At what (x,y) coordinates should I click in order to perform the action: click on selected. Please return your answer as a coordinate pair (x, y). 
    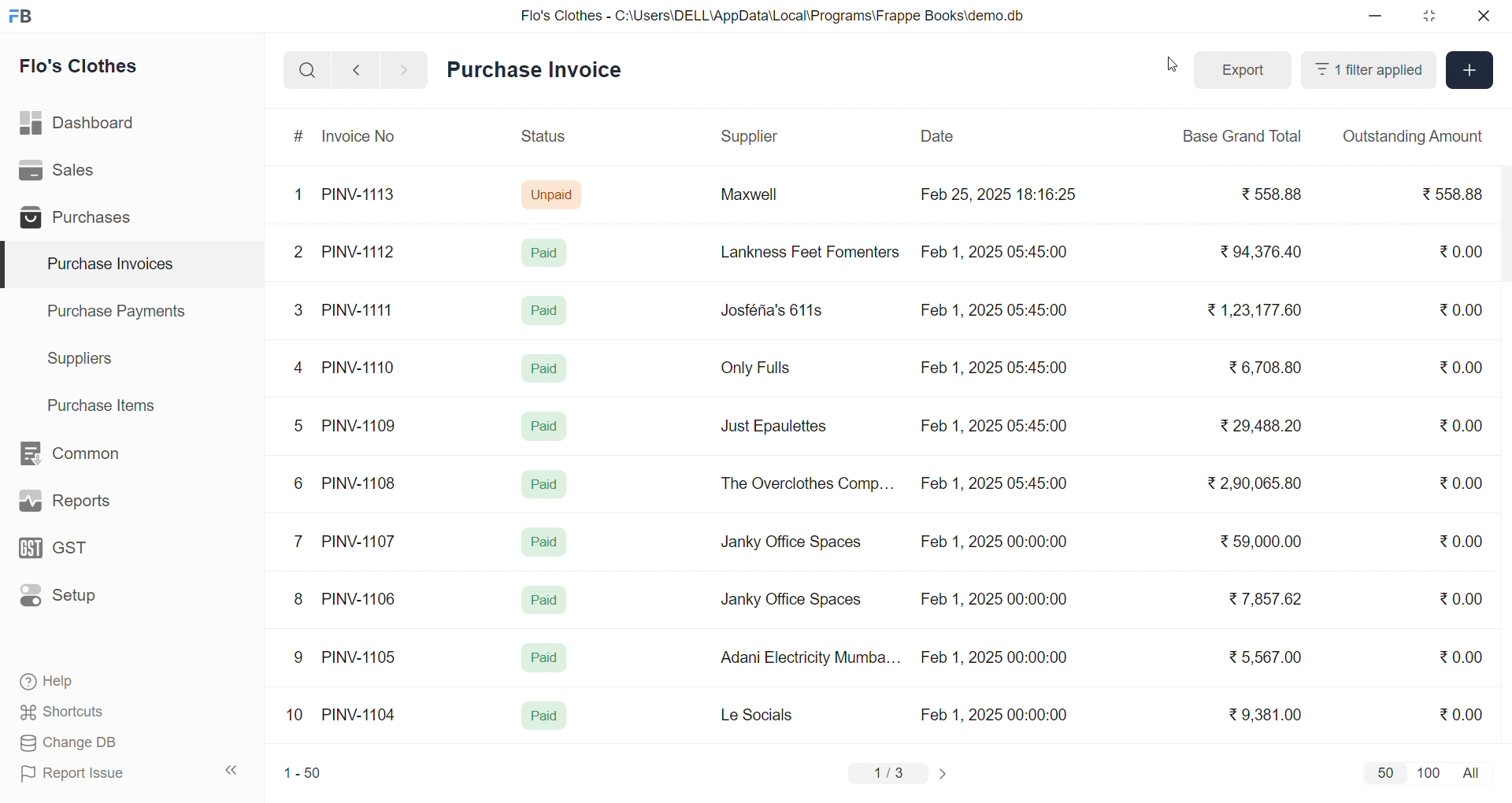
    Looking at the image, I should click on (9, 265).